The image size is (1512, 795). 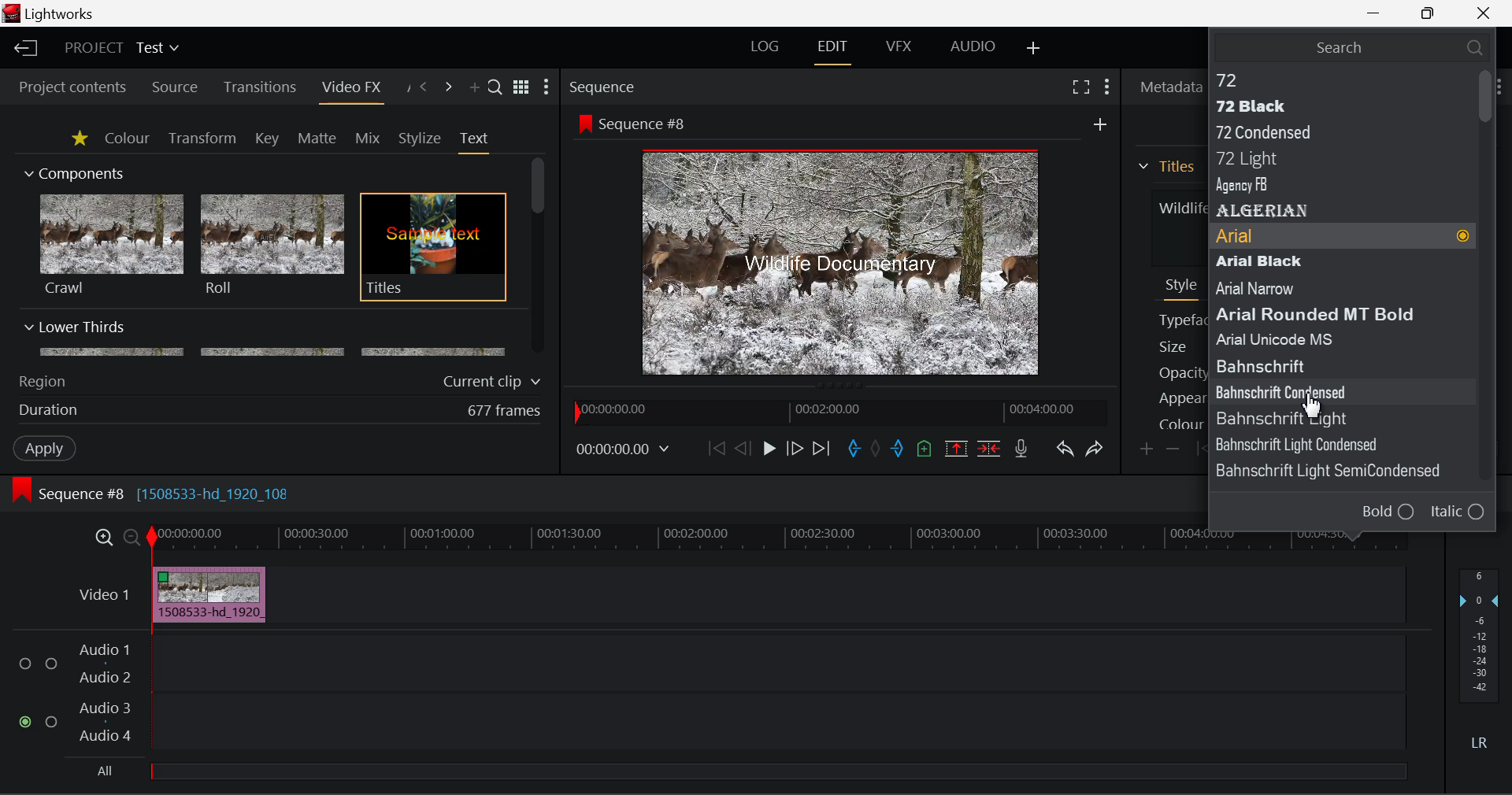 What do you see at coordinates (717, 449) in the screenshot?
I see `To Start` at bounding box center [717, 449].